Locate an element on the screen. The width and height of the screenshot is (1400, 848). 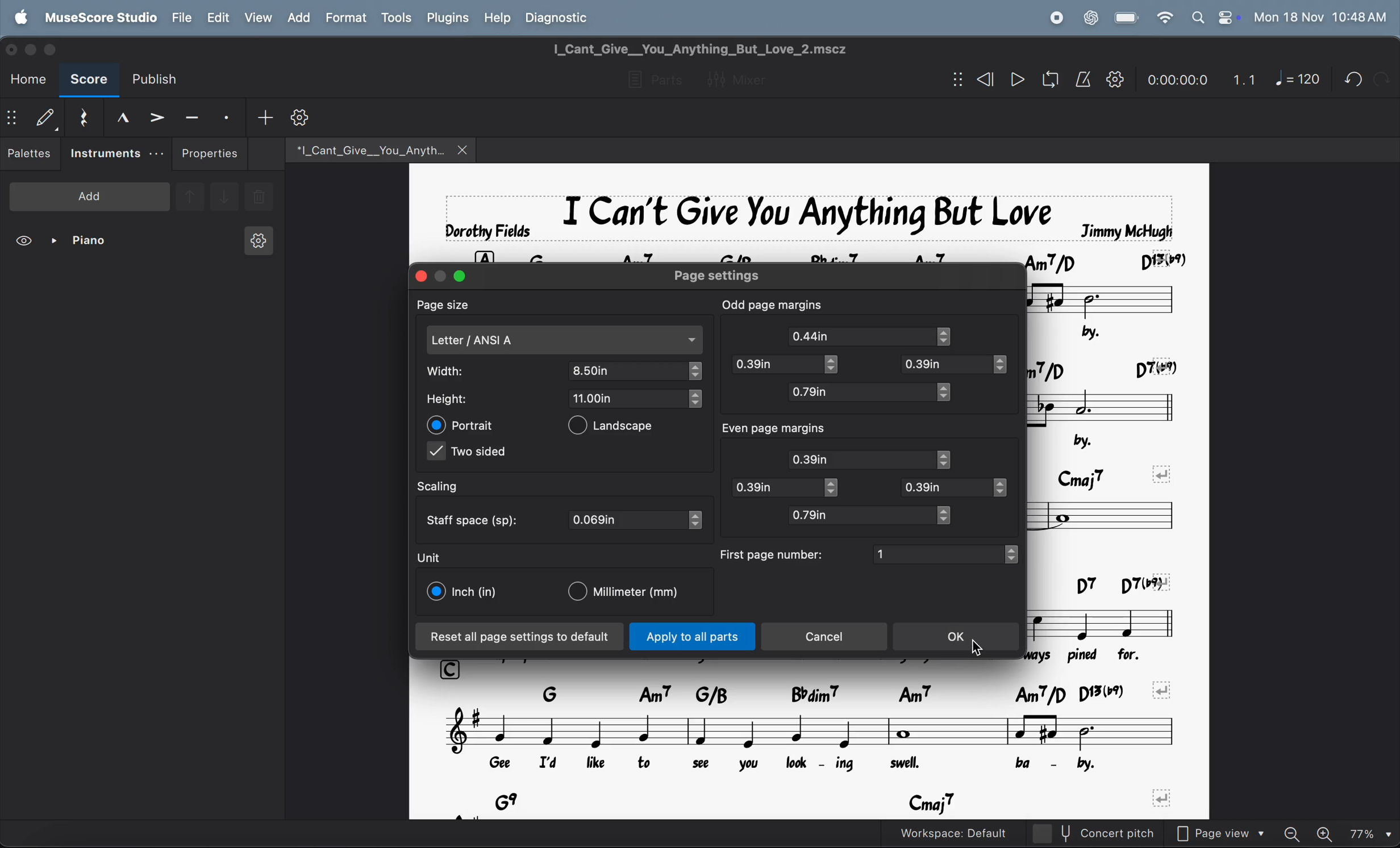
chord symbols is located at coordinates (1101, 582).